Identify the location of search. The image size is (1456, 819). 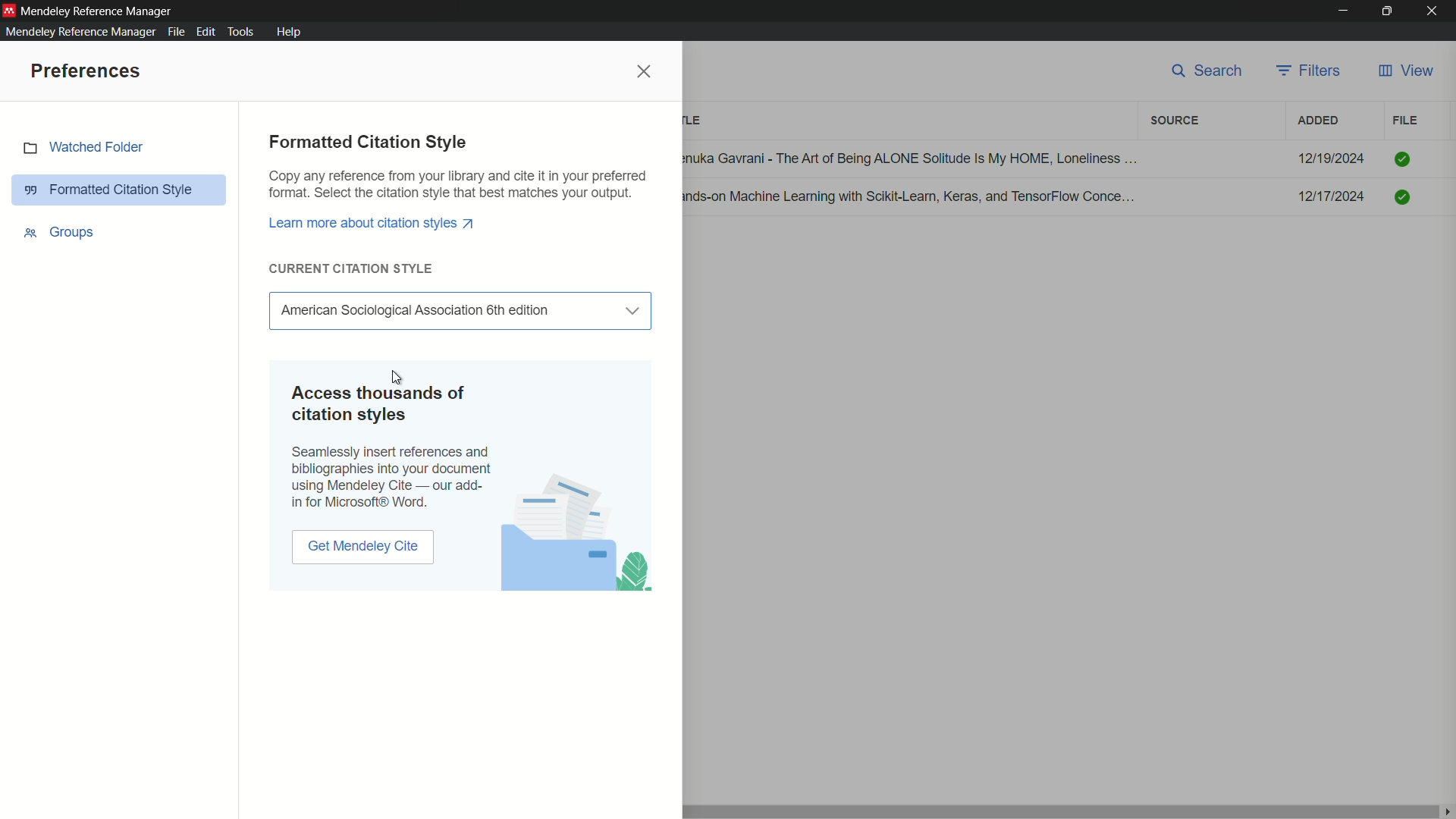
(1207, 74).